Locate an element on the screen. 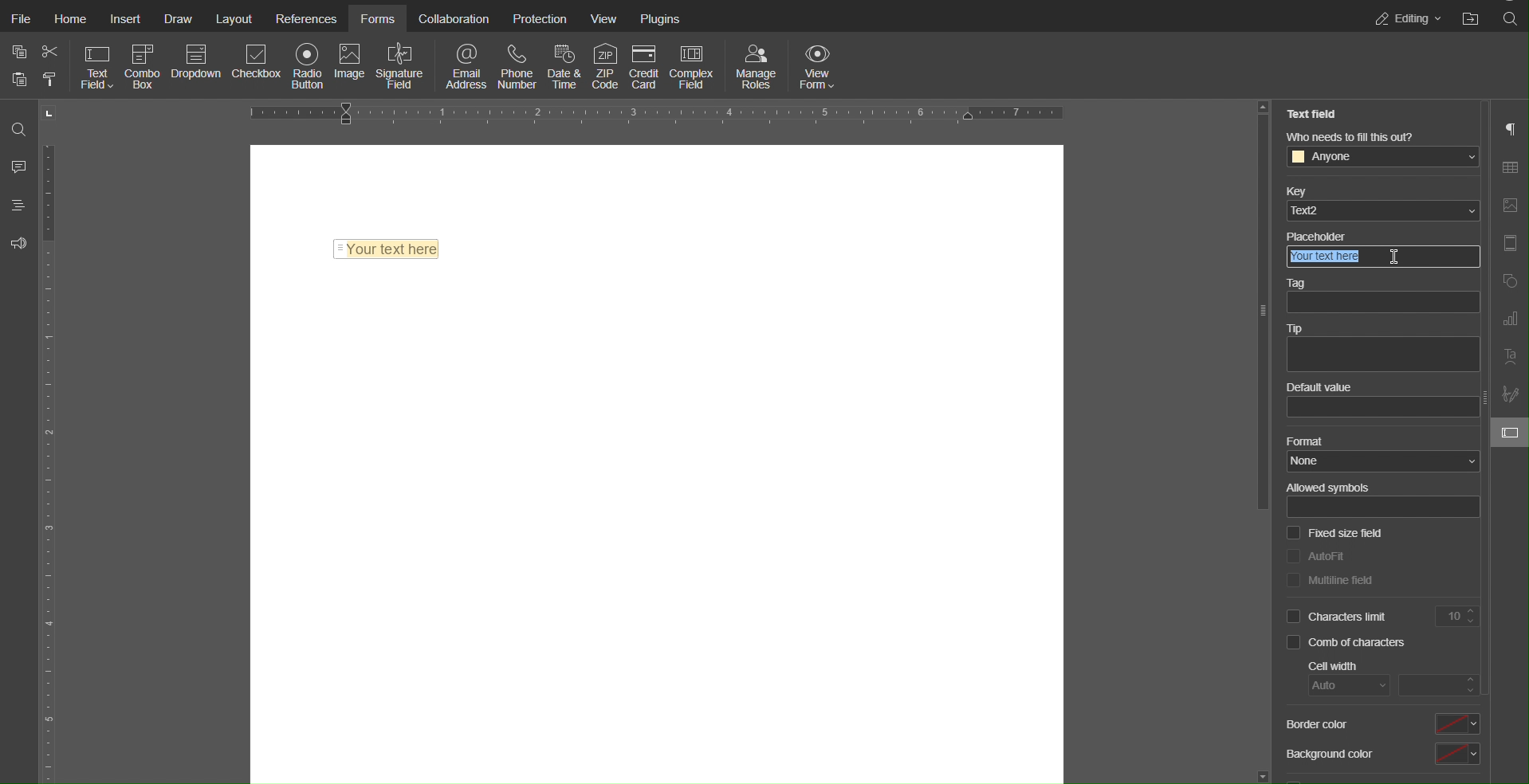 The image size is (1529, 784). Layout is located at coordinates (233, 20).